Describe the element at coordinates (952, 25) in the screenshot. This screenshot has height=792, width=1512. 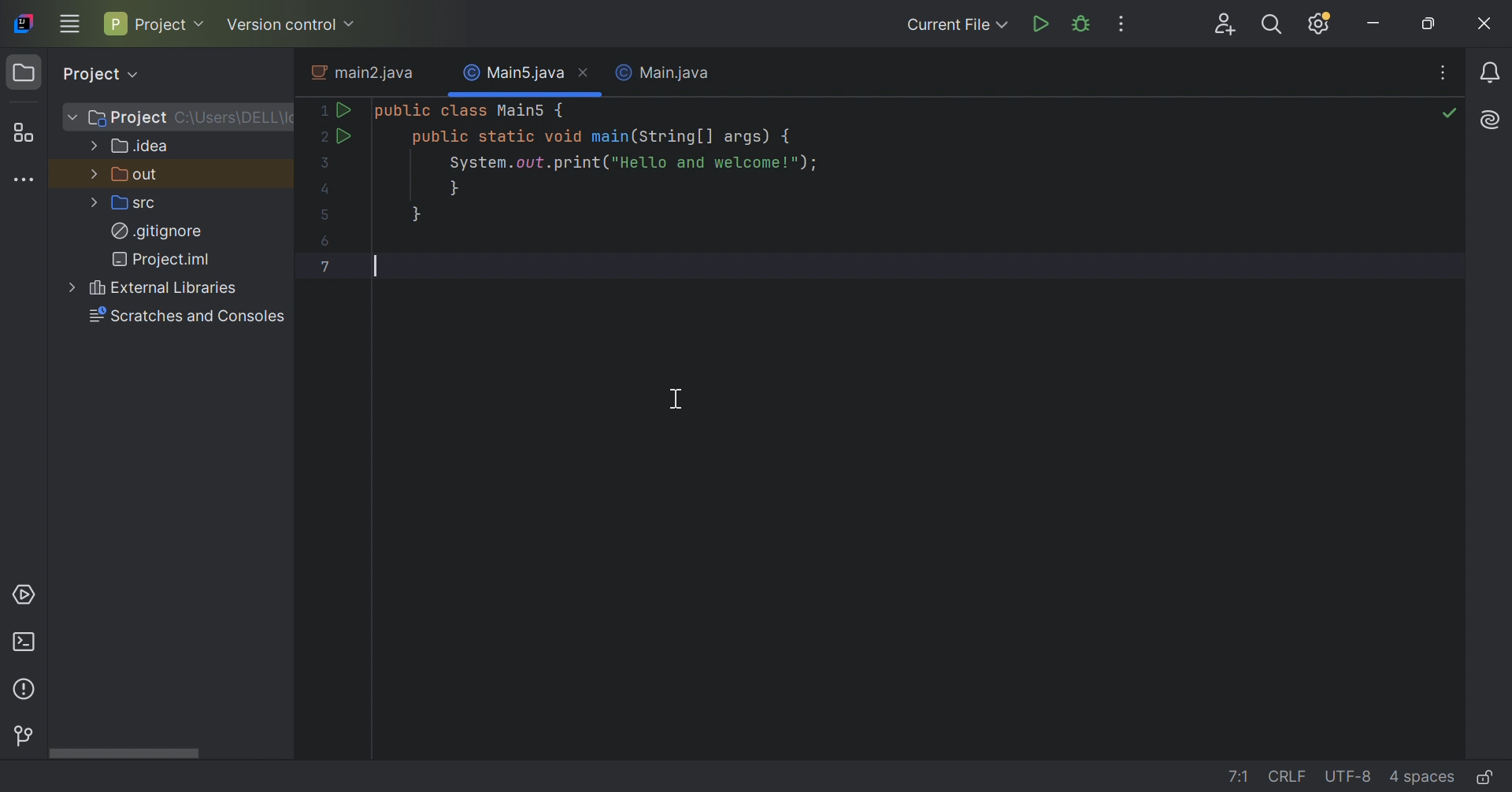
I see `Current file` at that location.